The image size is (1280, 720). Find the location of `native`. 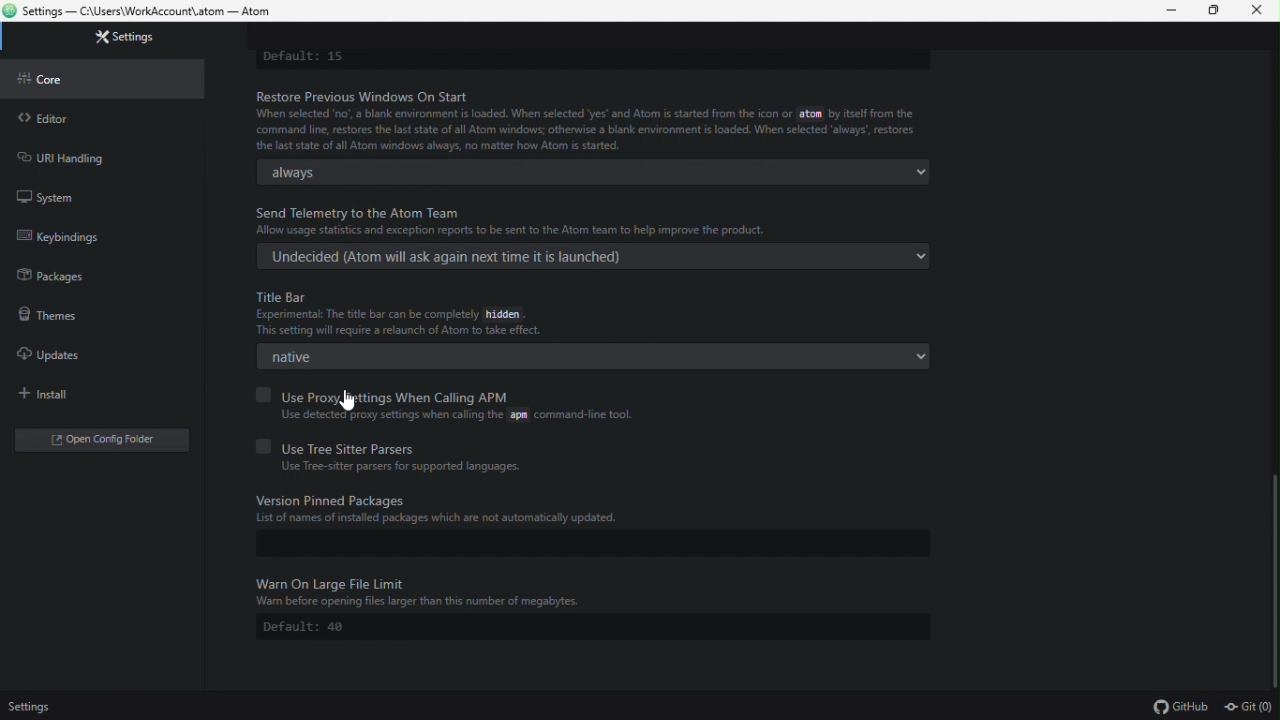

native is located at coordinates (599, 358).